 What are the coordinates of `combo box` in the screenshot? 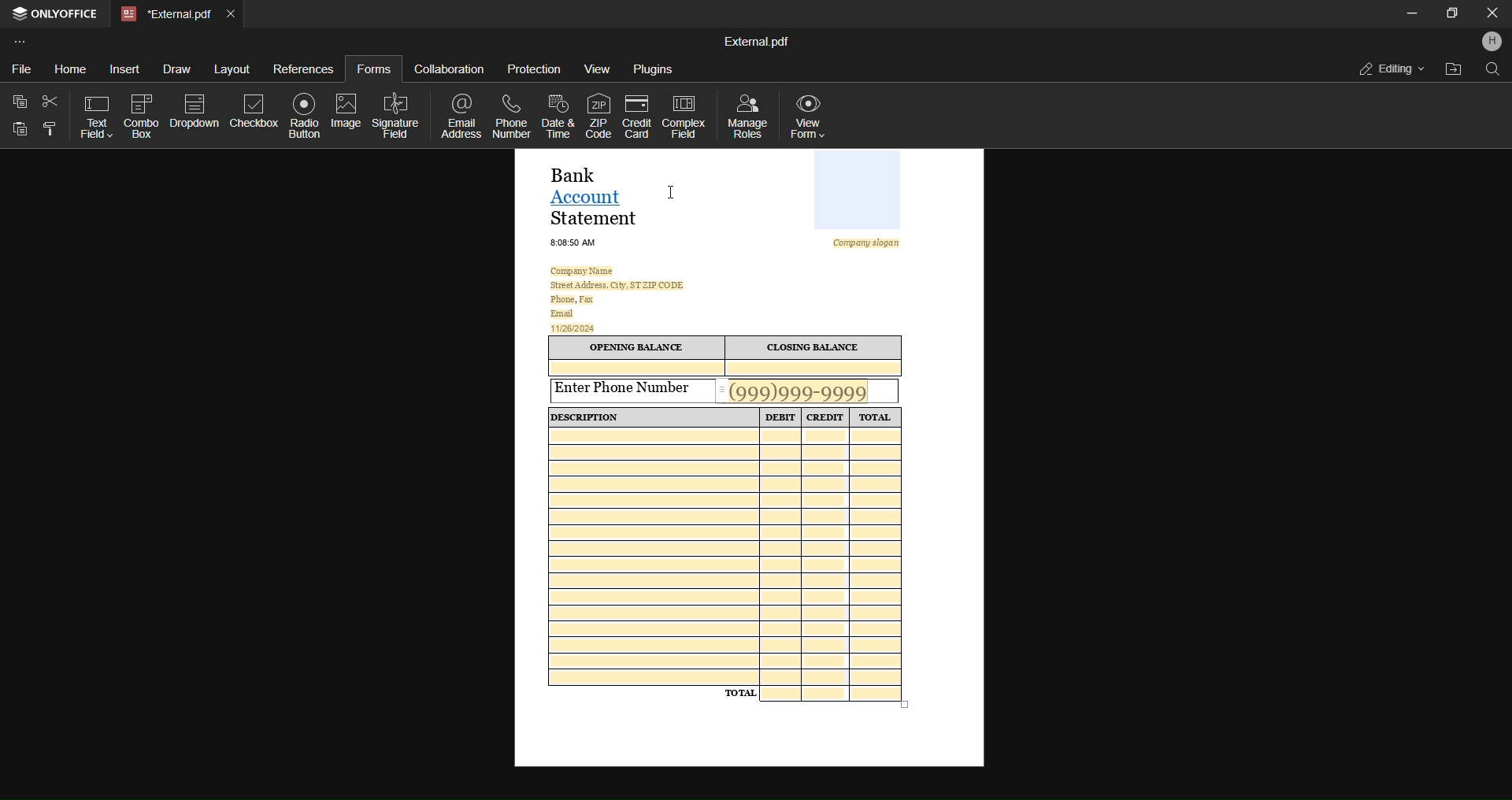 It's located at (140, 113).